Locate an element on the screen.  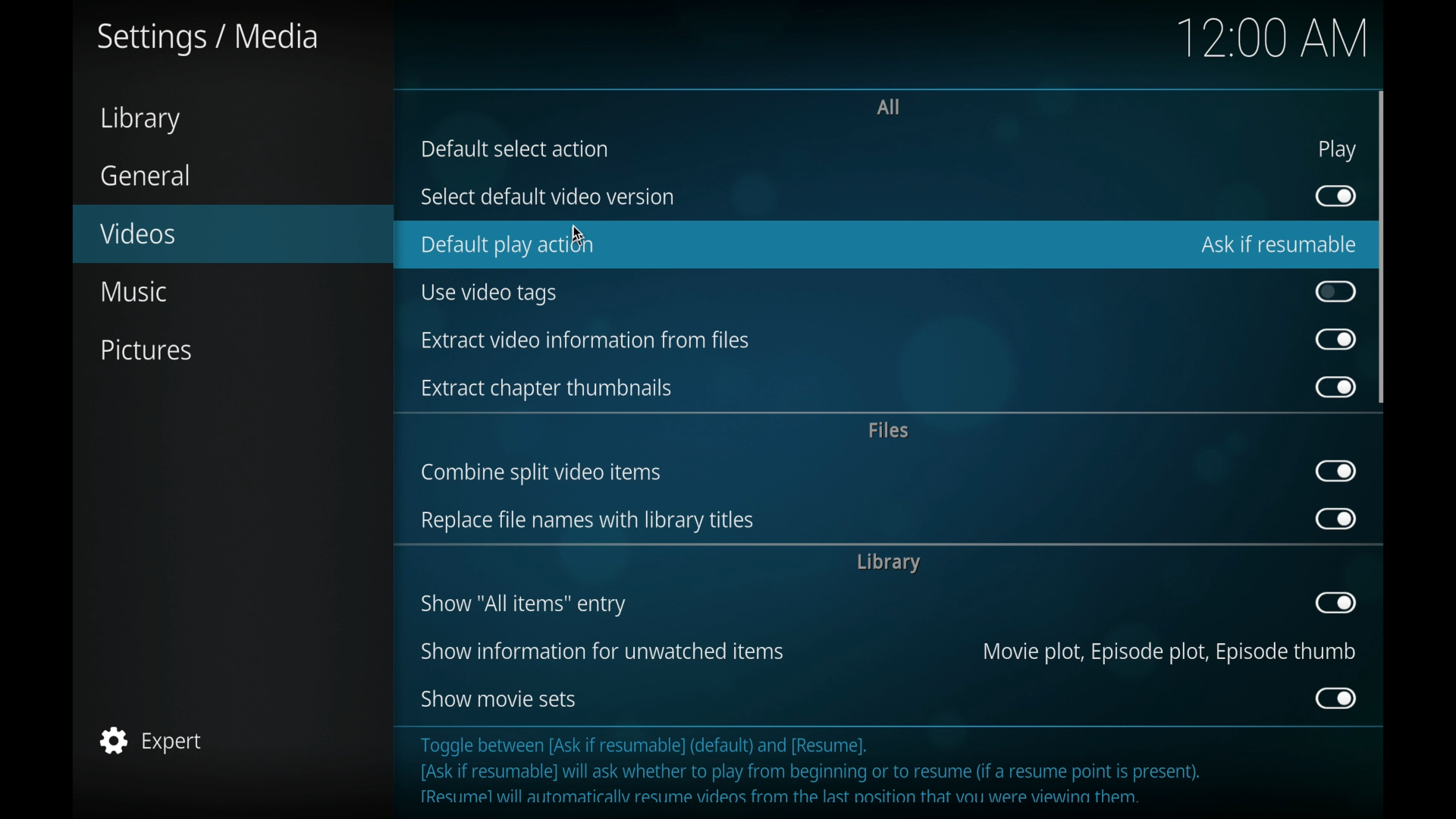
cursor is located at coordinates (579, 235).